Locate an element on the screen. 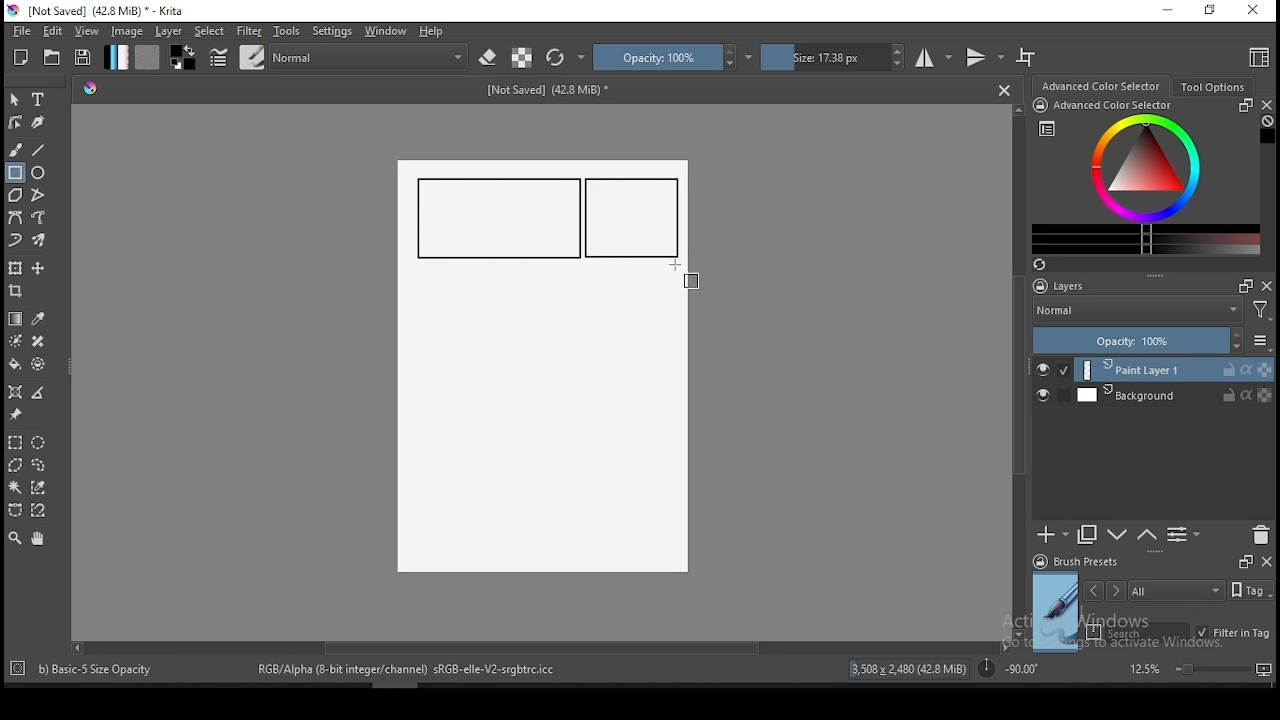 This screenshot has width=1280, height=720. colorize mask tool is located at coordinates (17, 341).